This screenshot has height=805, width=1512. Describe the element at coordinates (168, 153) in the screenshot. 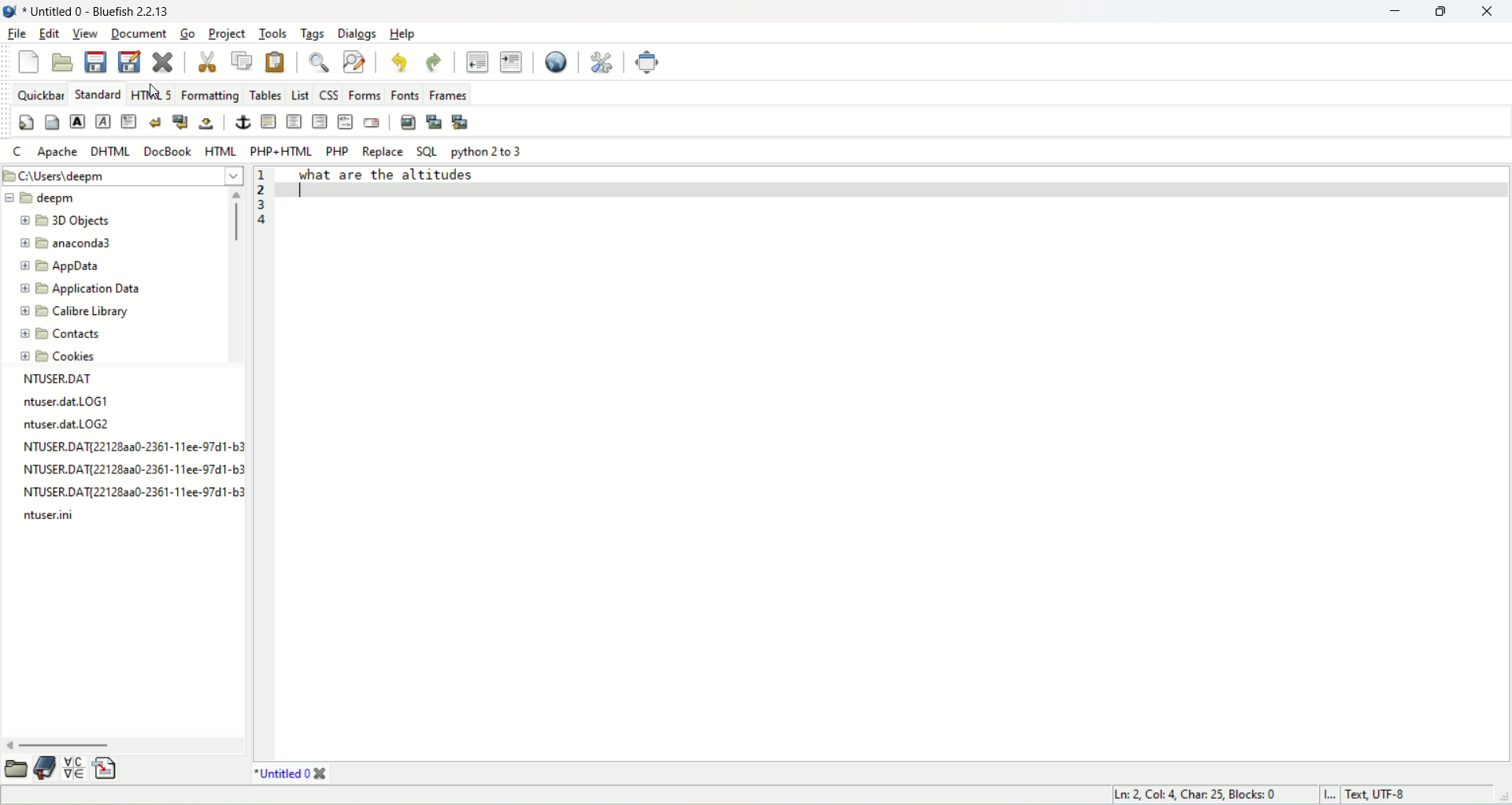

I see `DocBook` at that location.